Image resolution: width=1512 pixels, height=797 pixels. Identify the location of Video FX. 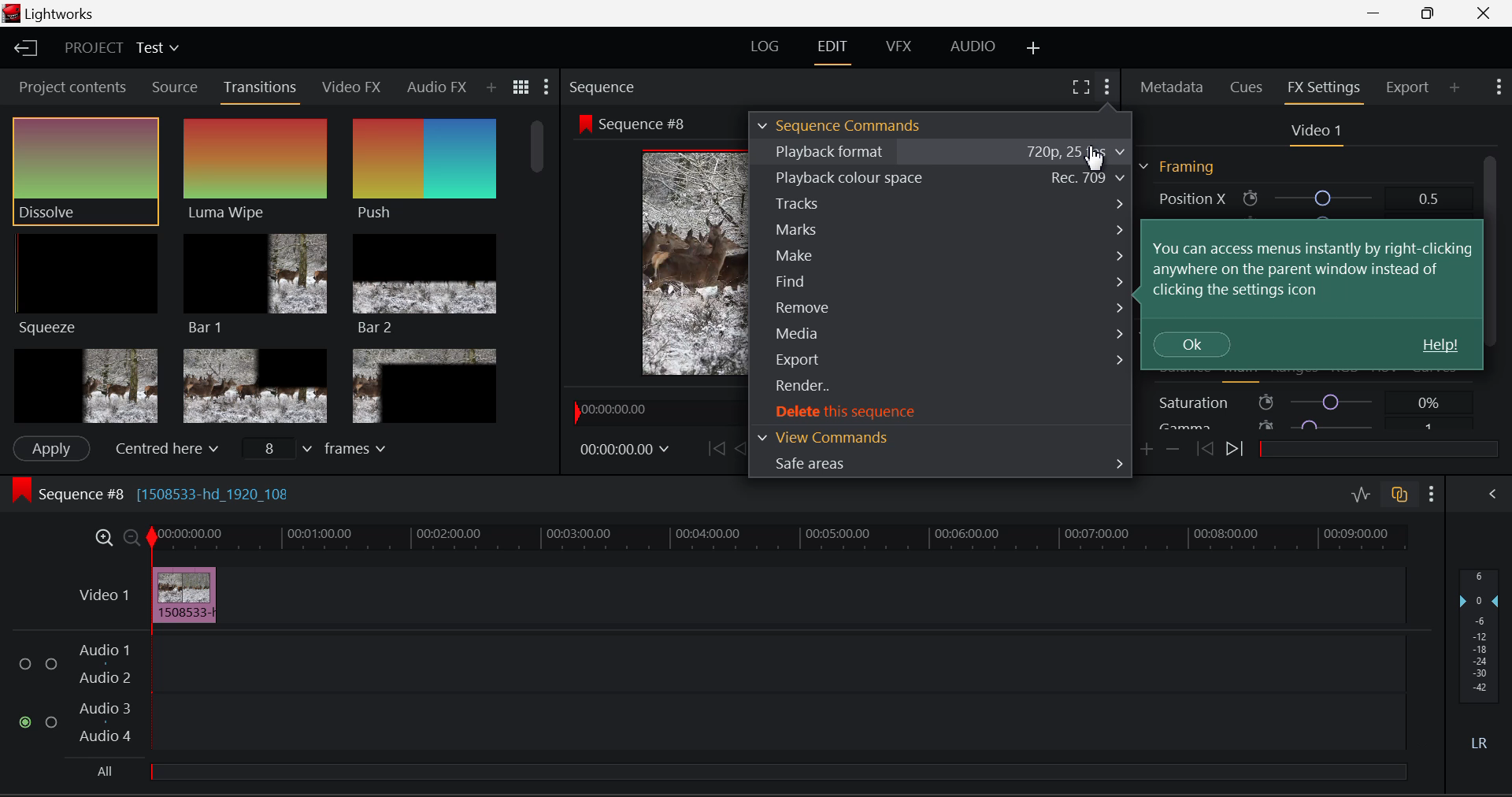
(353, 88).